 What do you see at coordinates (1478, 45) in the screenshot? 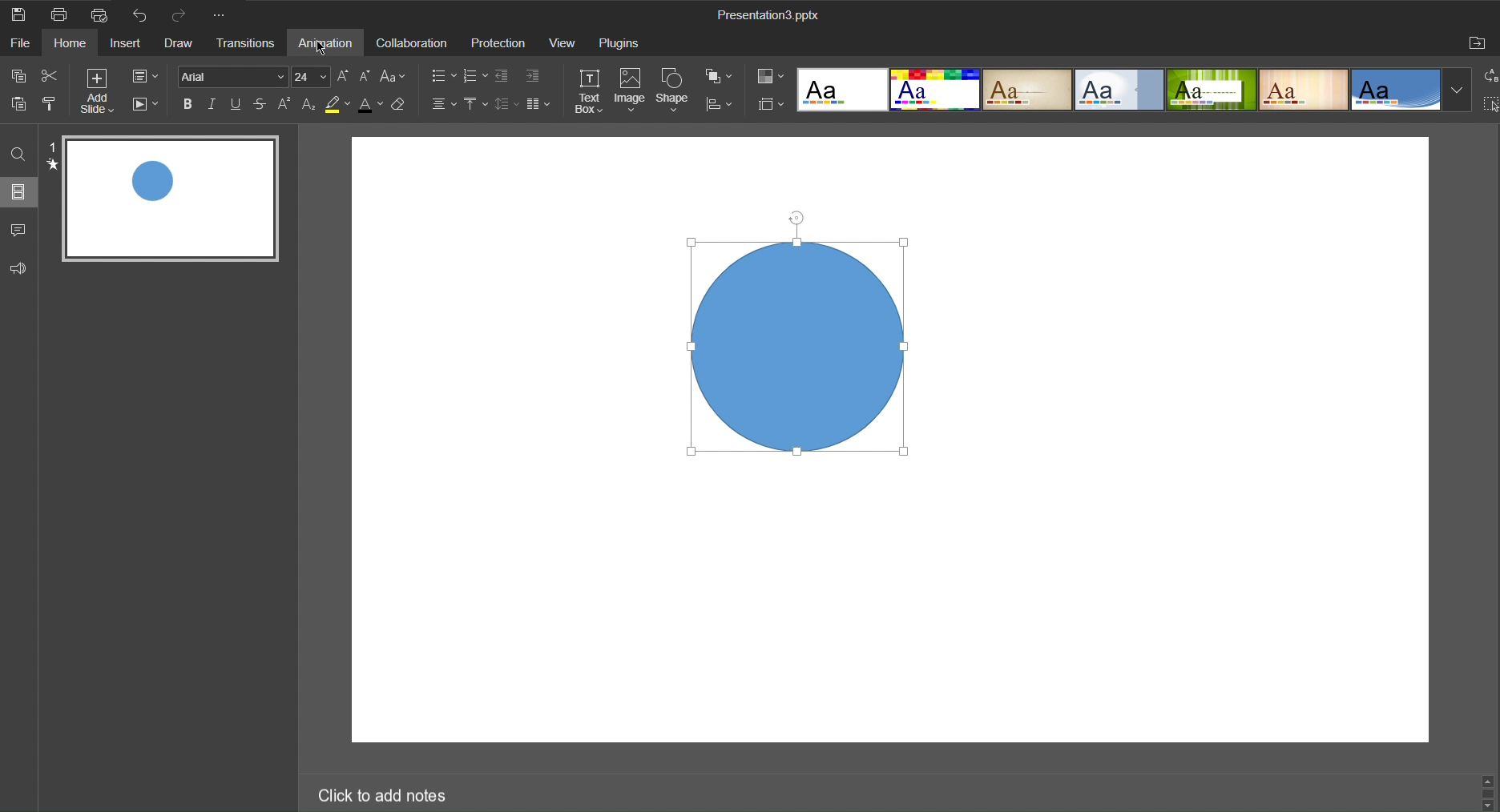
I see `Open File Location` at bounding box center [1478, 45].